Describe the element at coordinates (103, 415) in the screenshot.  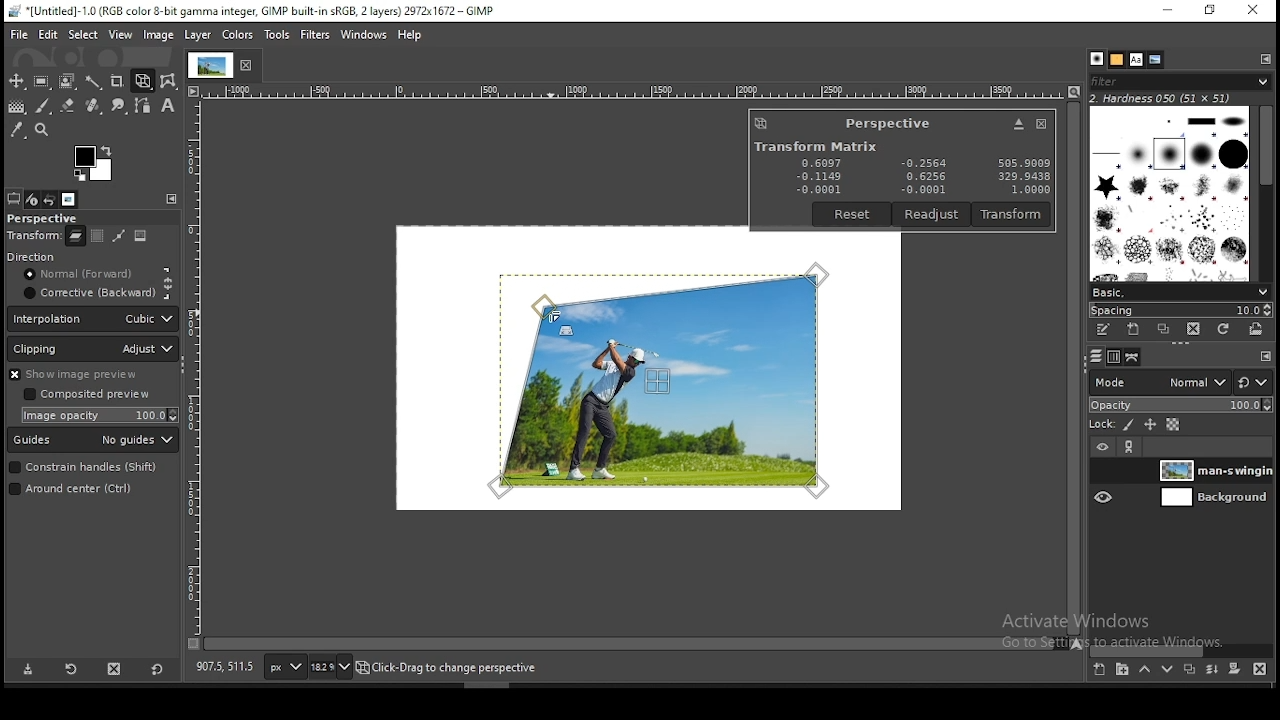
I see `image opacity` at that location.